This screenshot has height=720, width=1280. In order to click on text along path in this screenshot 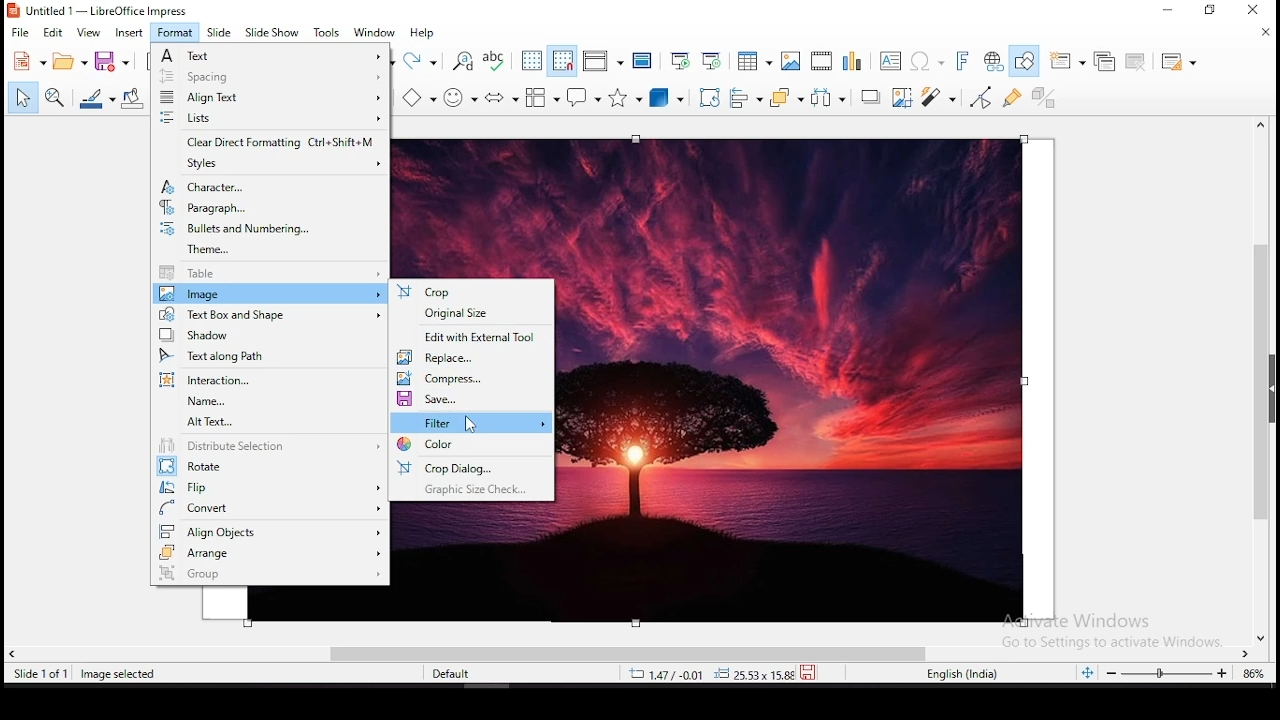, I will do `click(268, 356)`.